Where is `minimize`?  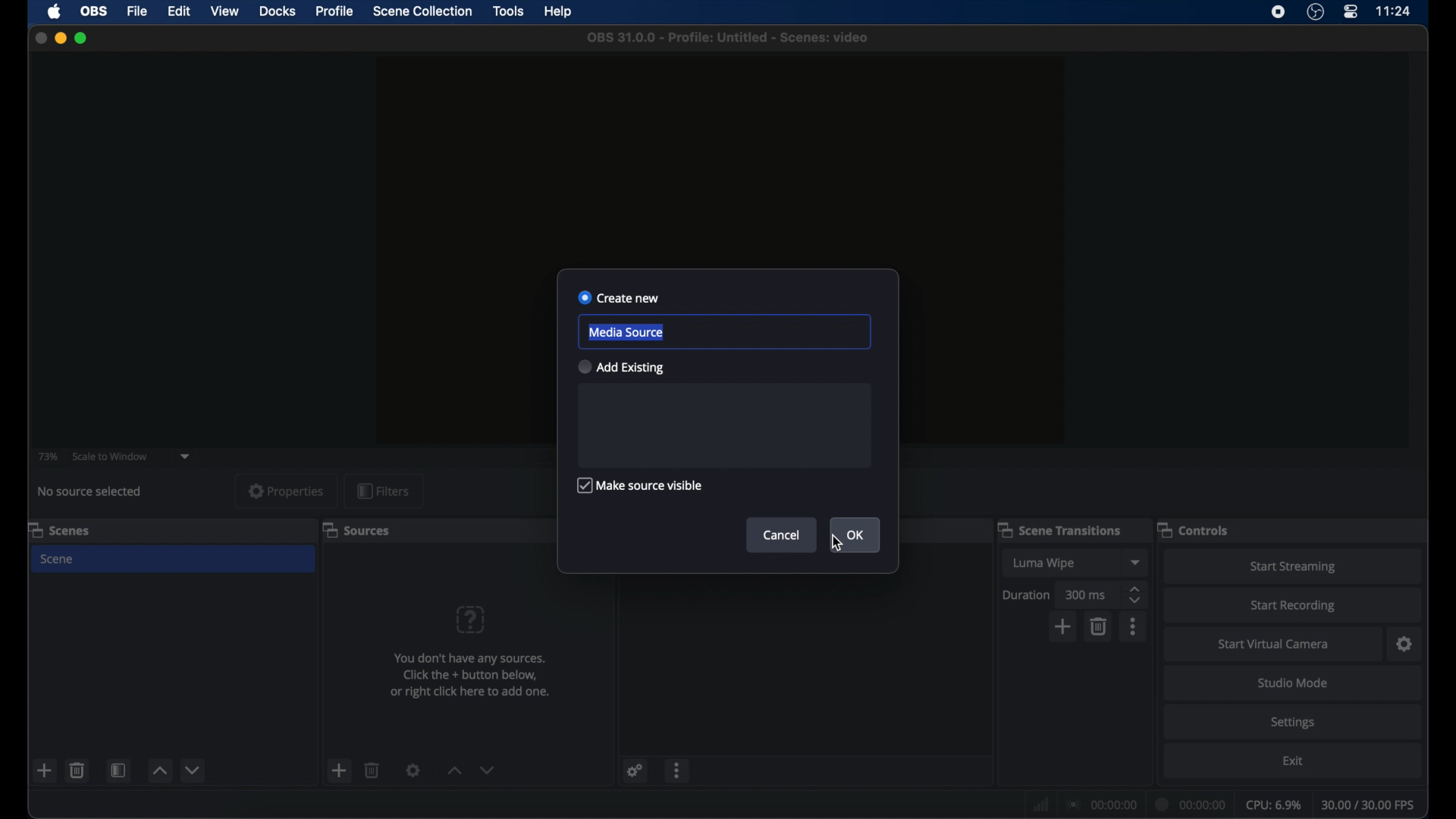
minimize is located at coordinates (60, 38).